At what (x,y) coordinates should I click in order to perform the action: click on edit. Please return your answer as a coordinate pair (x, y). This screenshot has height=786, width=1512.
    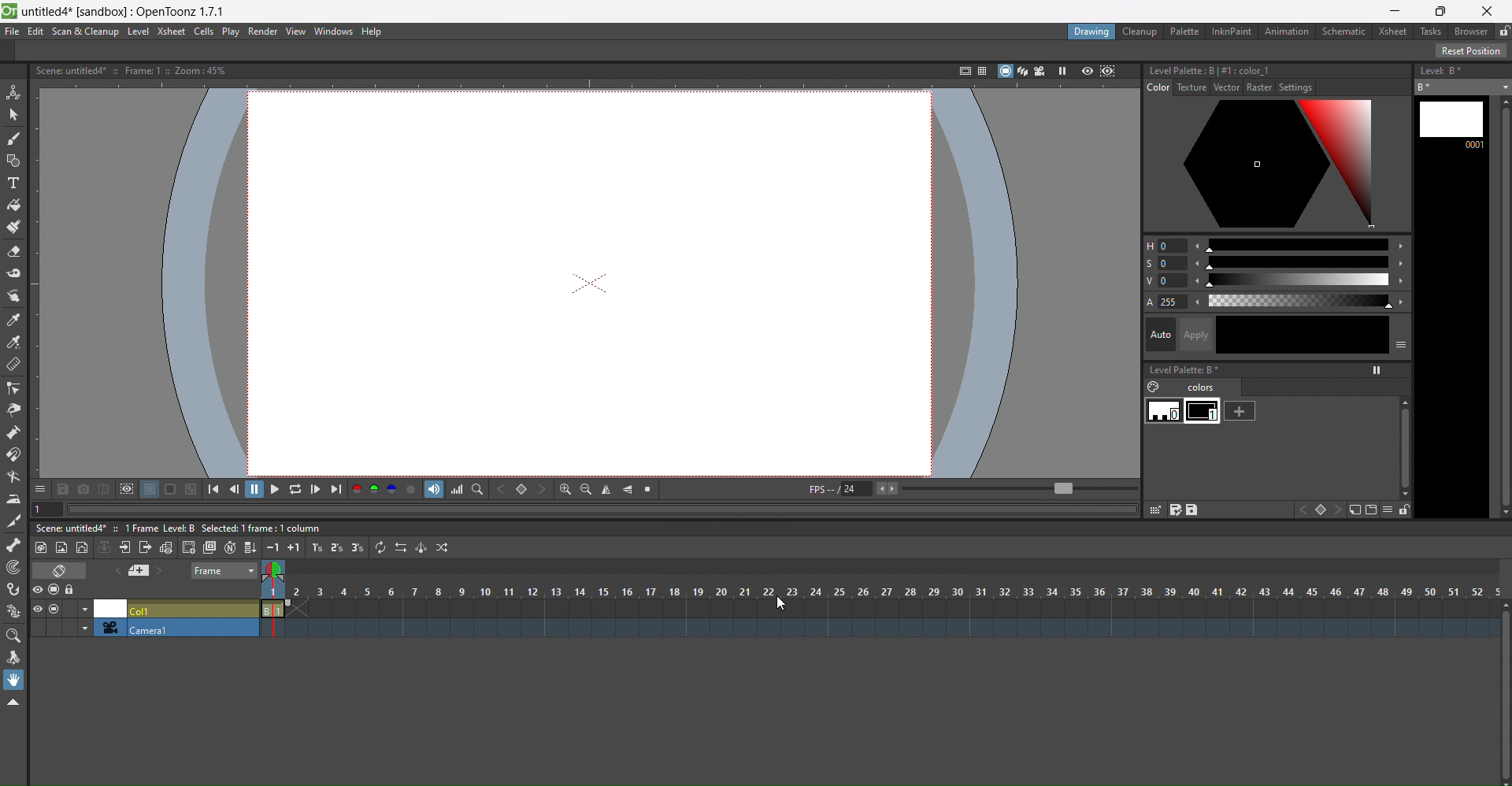
    Looking at the image, I should click on (36, 32).